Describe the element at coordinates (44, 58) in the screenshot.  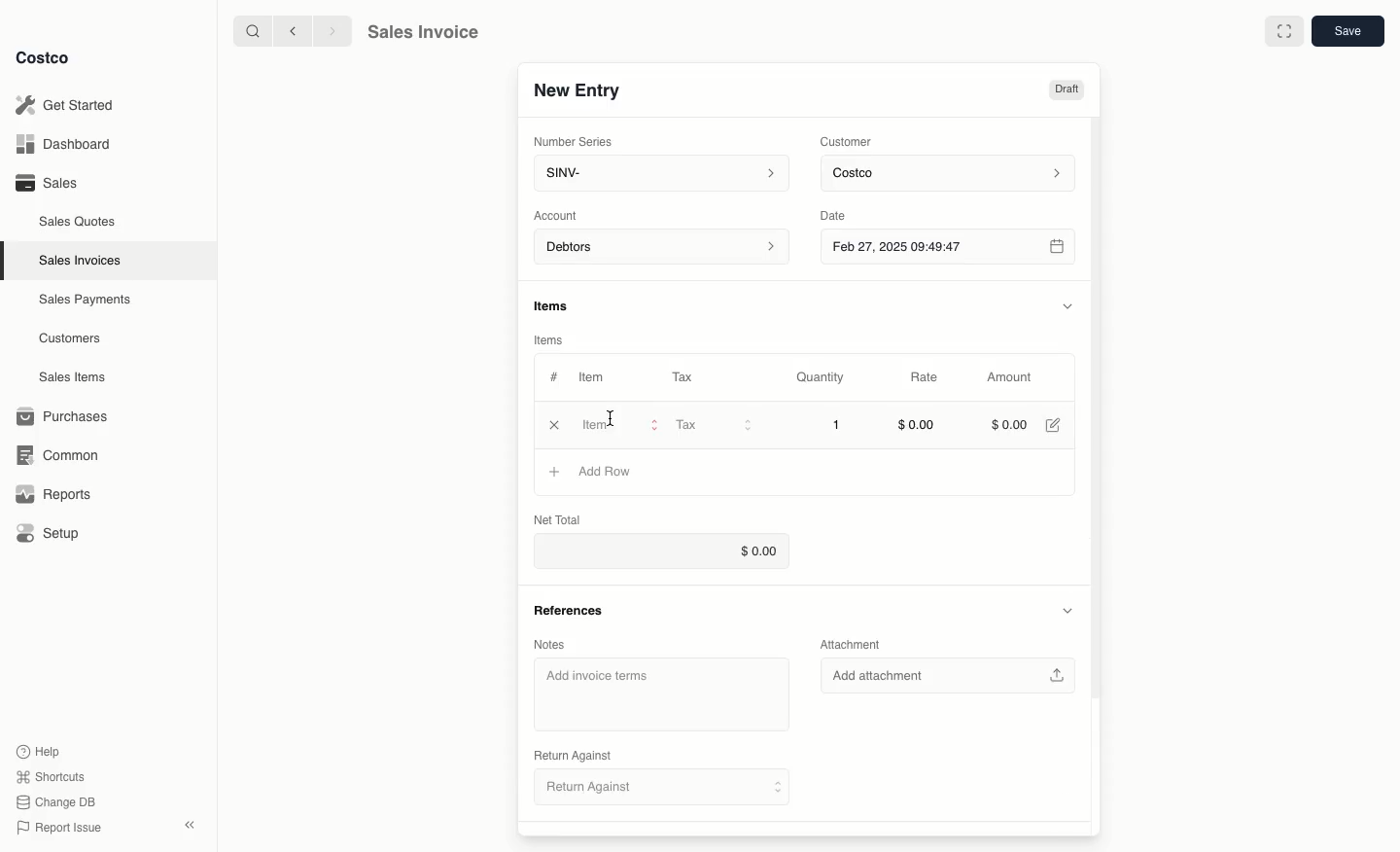
I see `Costco` at that location.